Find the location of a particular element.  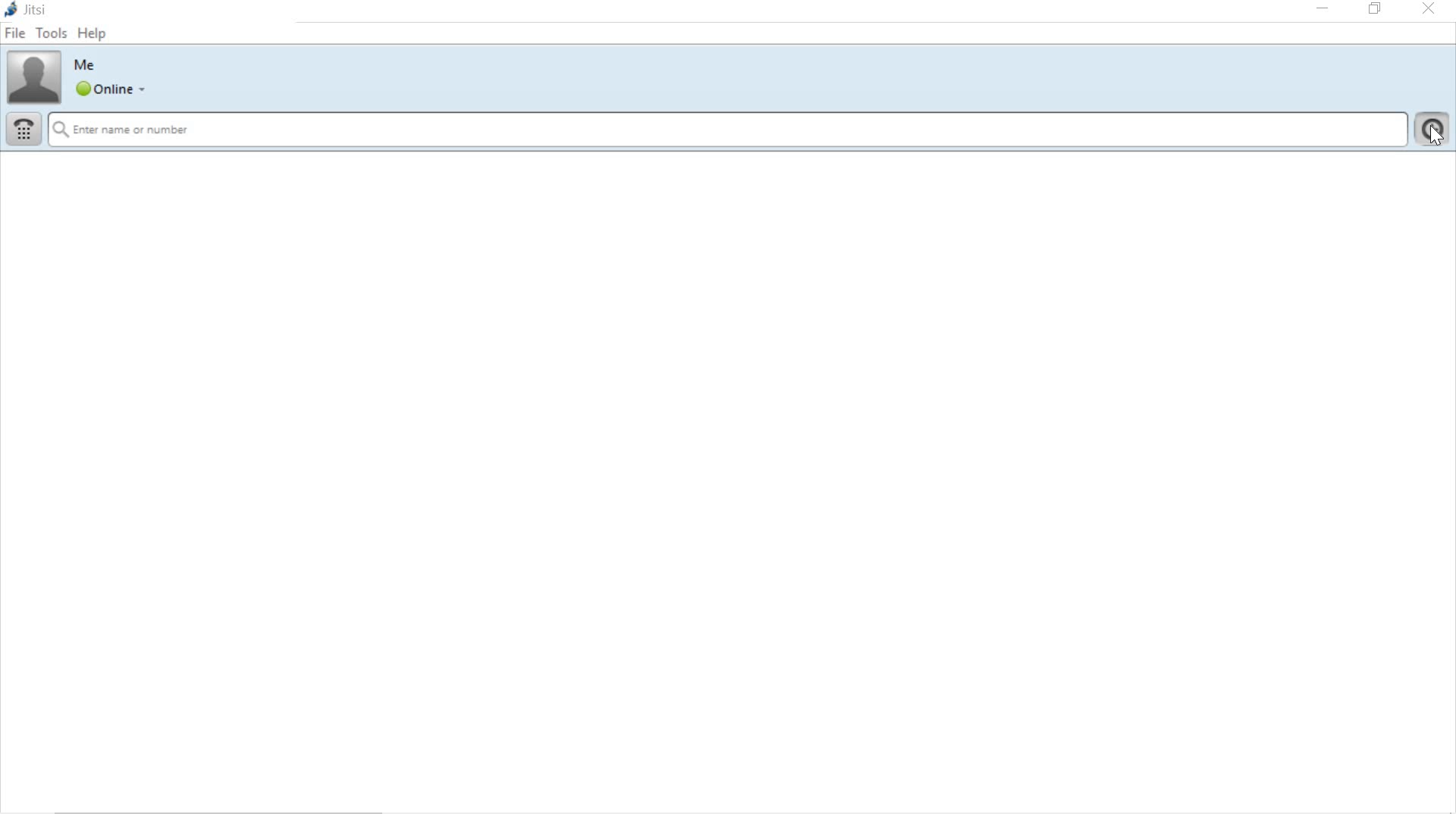

tools is located at coordinates (52, 33).